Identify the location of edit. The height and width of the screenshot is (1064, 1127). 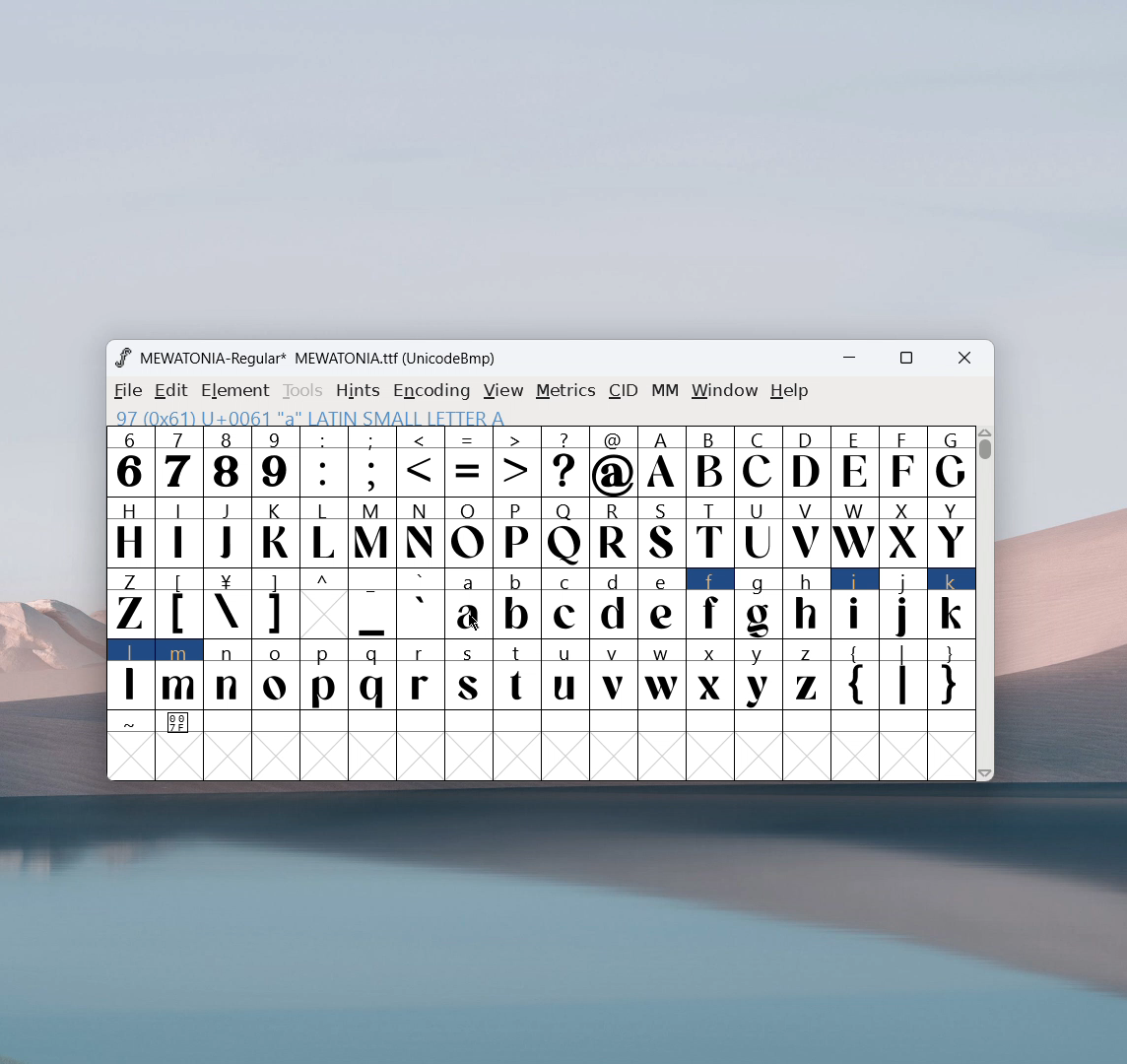
(172, 391).